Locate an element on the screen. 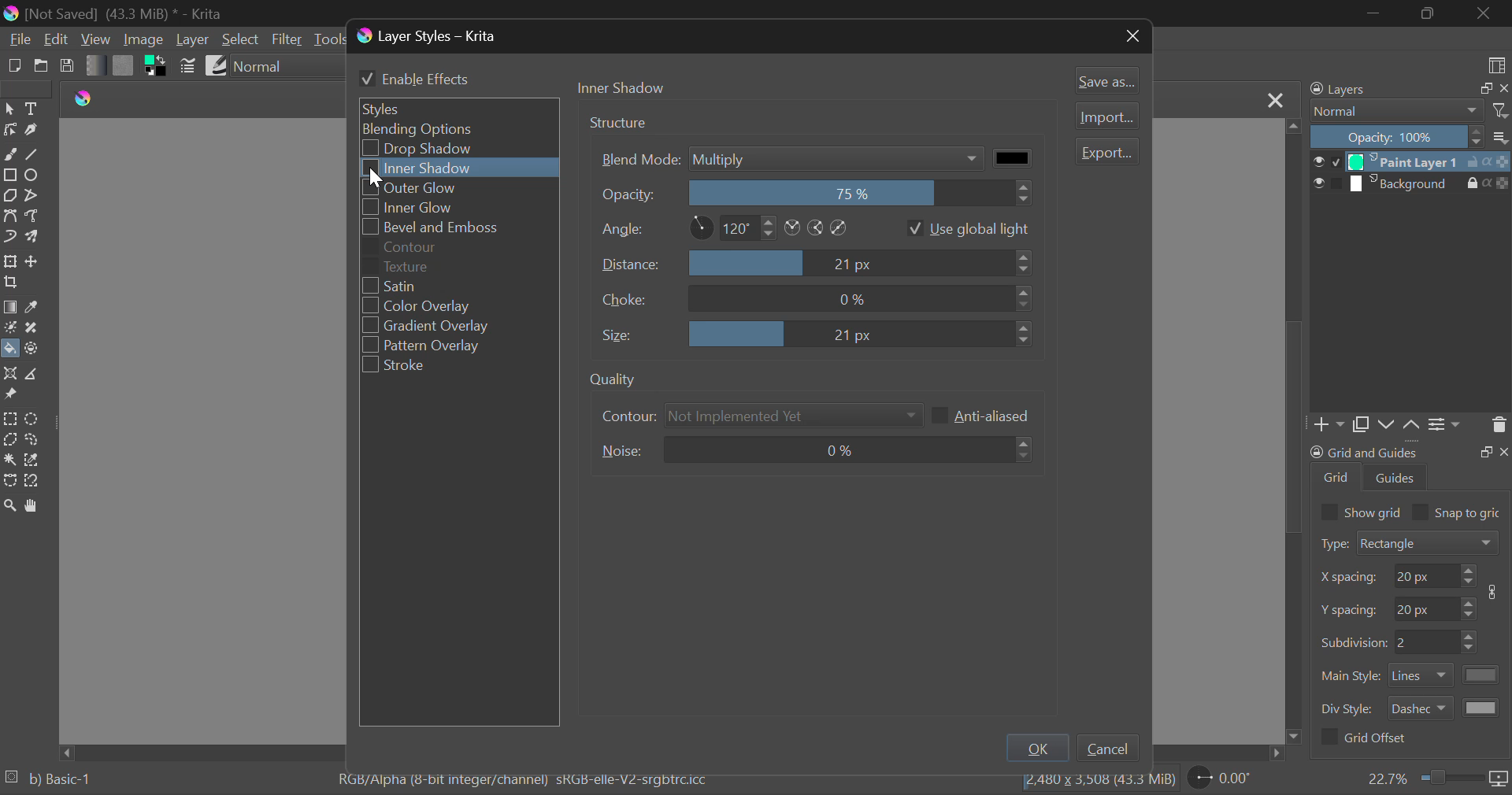 The height and width of the screenshot is (795, 1512). Similar Color Selection is located at coordinates (32, 461).